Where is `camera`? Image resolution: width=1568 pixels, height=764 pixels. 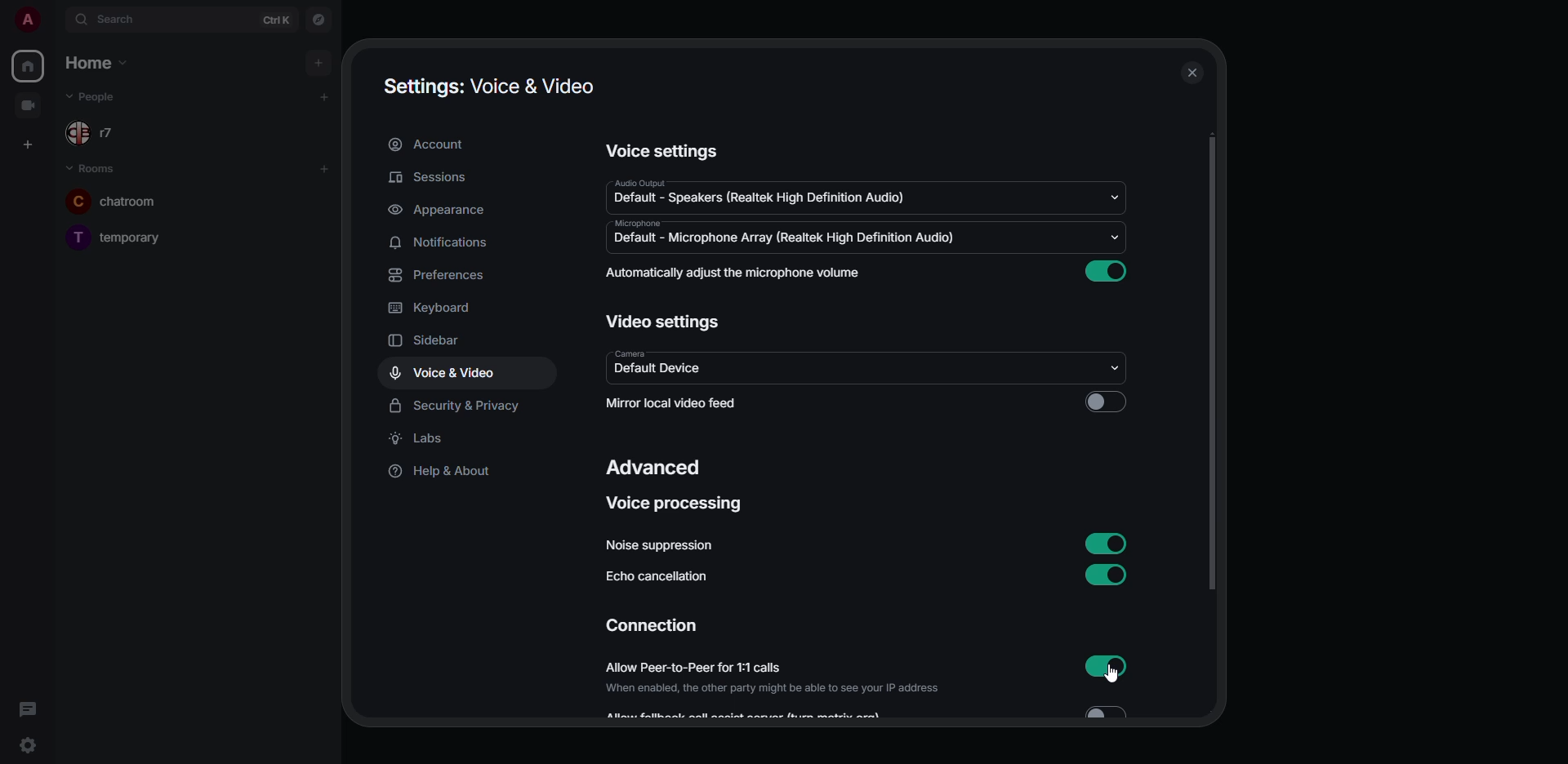 camera is located at coordinates (630, 352).